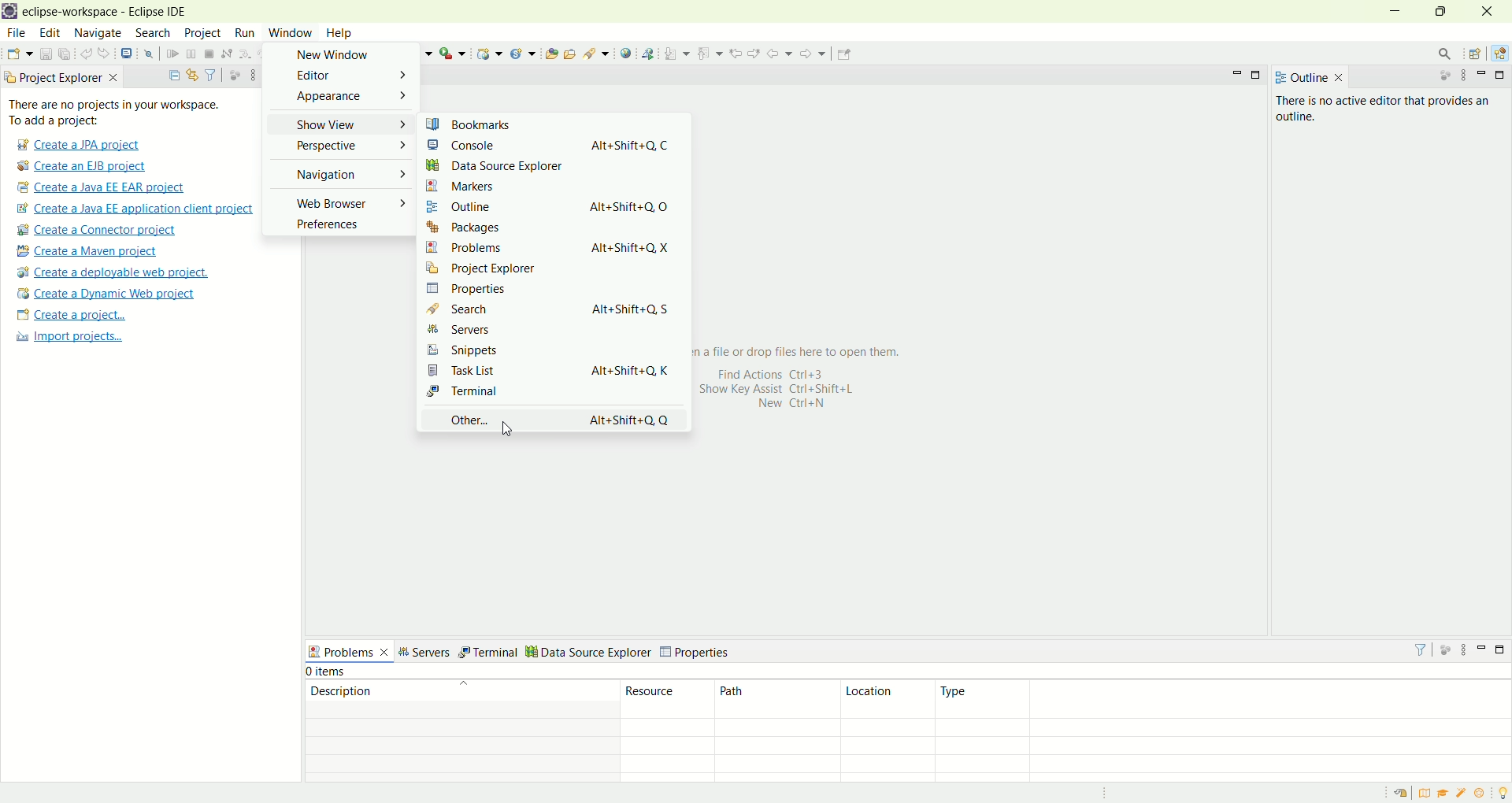 The width and height of the screenshot is (1512, 803). What do you see at coordinates (497, 309) in the screenshot?
I see `search` at bounding box center [497, 309].